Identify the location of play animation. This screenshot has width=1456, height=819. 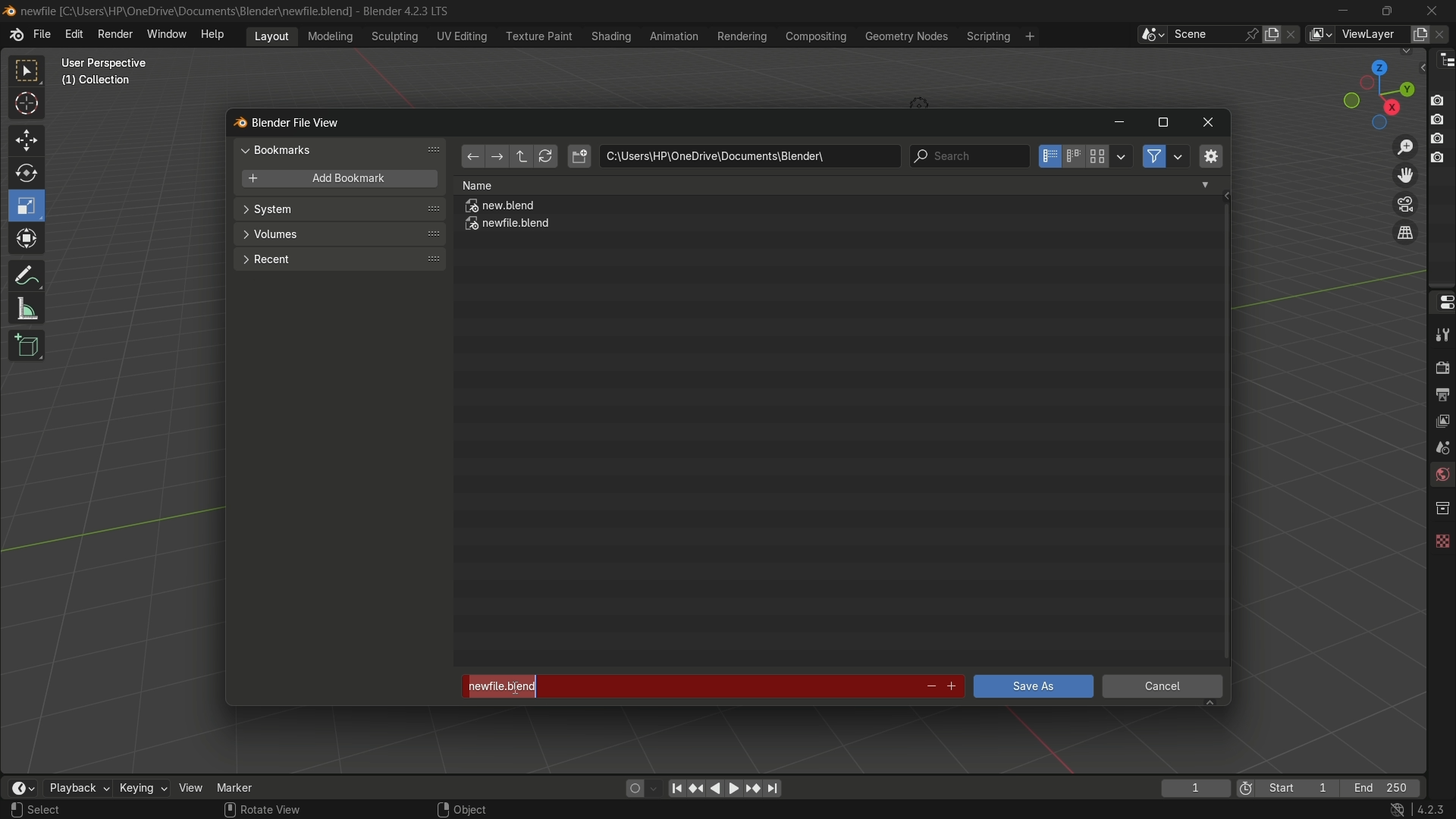
(725, 788).